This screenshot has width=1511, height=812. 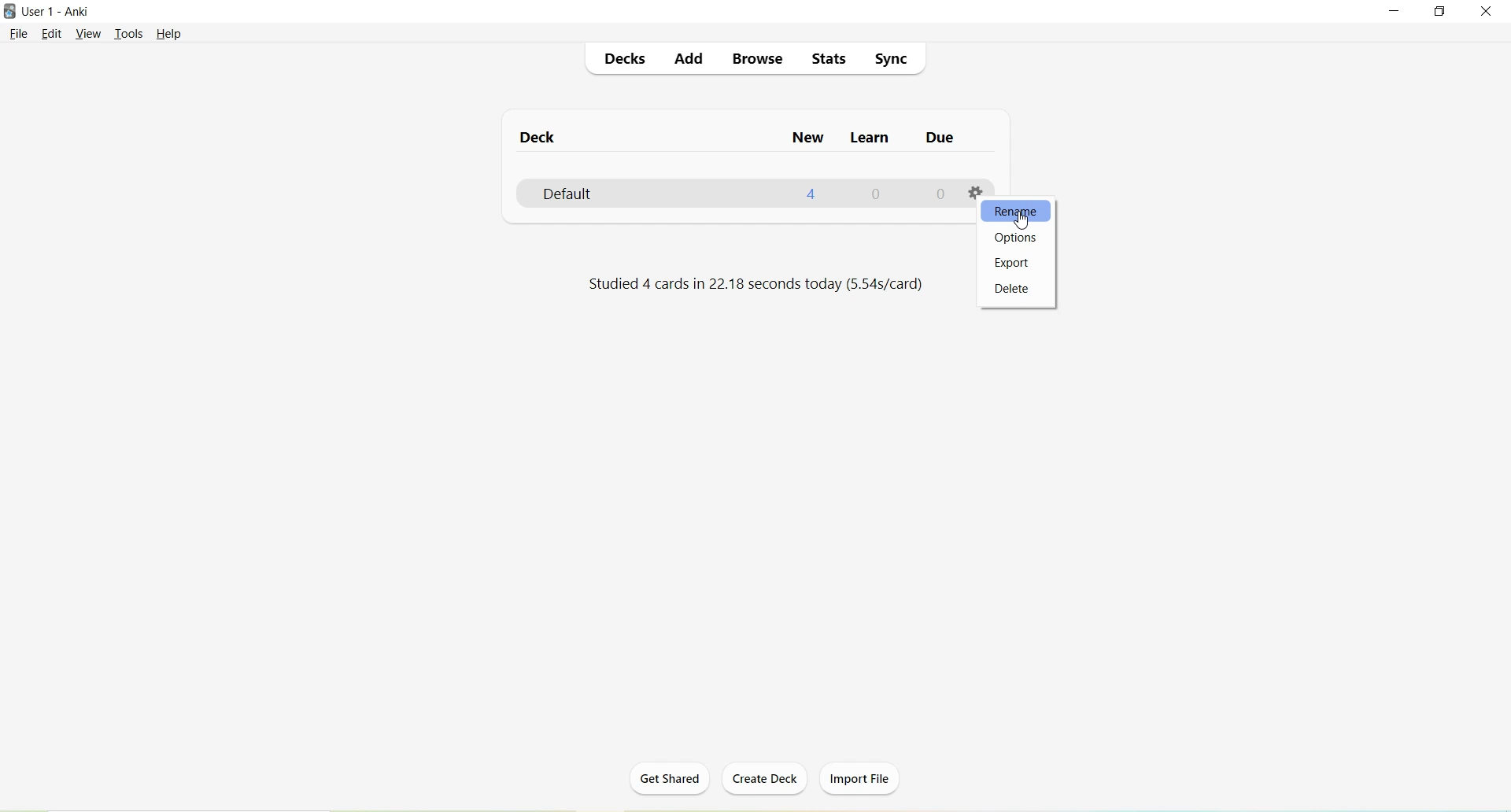 What do you see at coordinates (754, 285) in the screenshot?
I see `Studied 4 cards in 22.18 seconds today (5.54s/card)` at bounding box center [754, 285].